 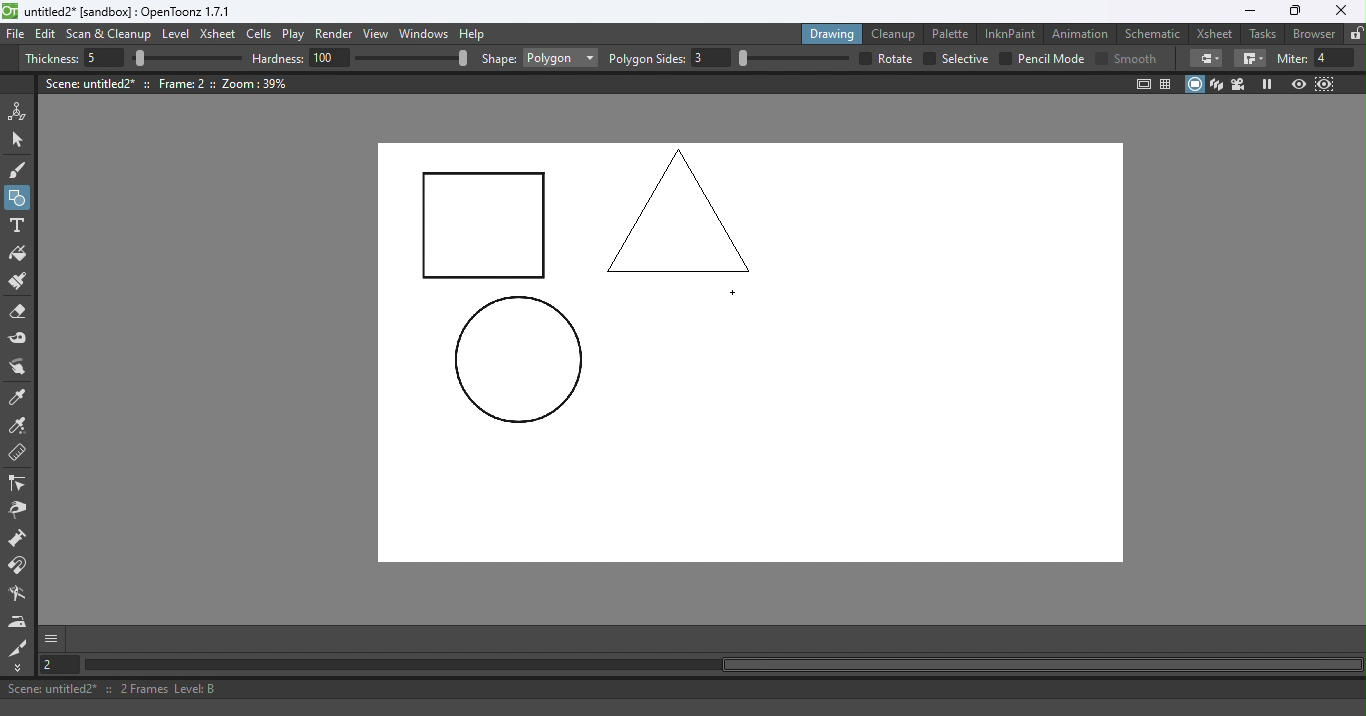 I want to click on smooth, so click(x=1138, y=58).